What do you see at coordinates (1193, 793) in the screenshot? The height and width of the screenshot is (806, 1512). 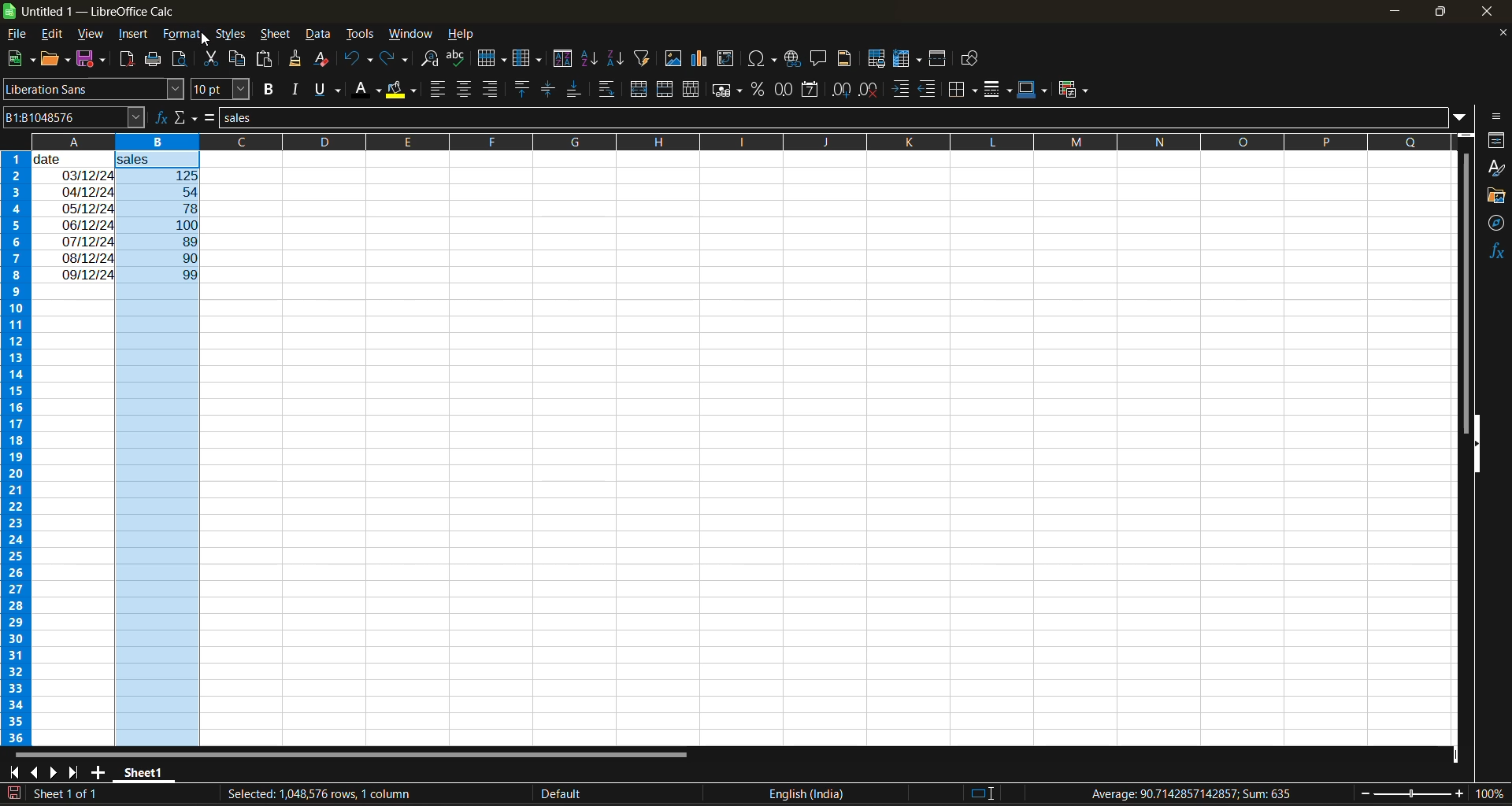 I see `formula` at bounding box center [1193, 793].